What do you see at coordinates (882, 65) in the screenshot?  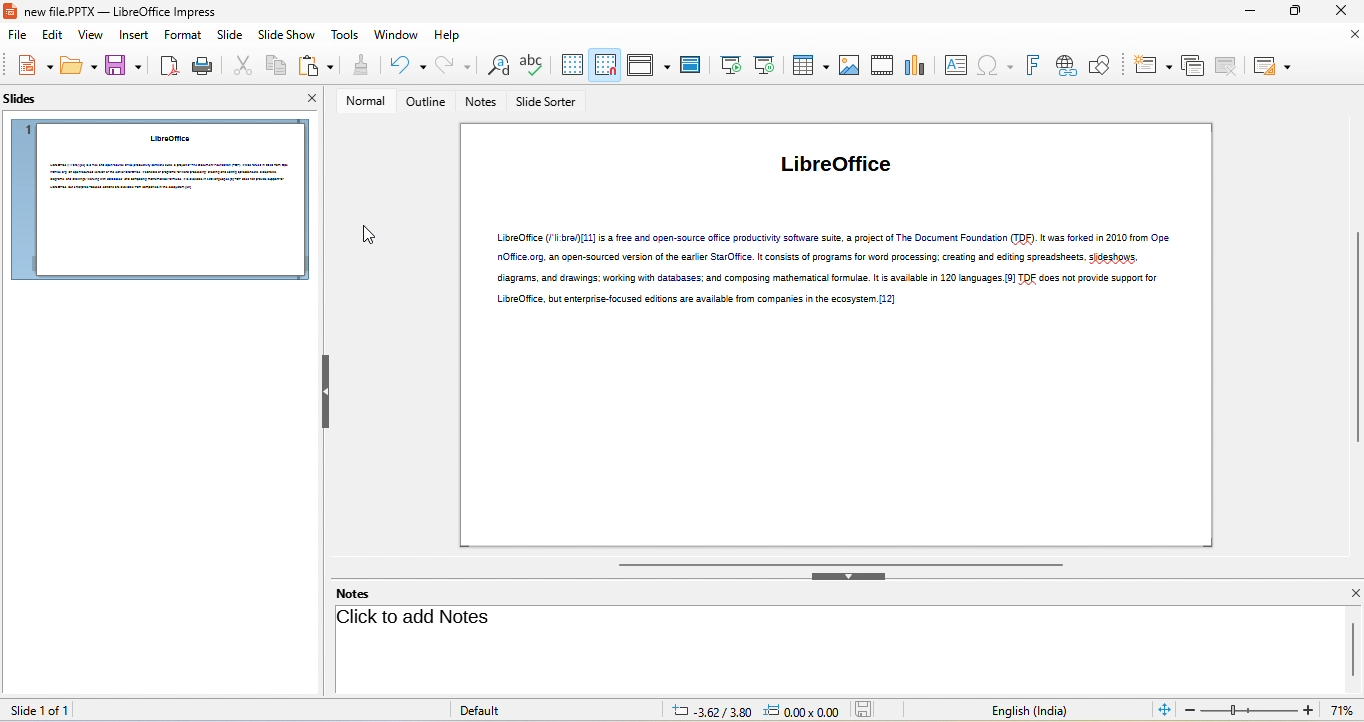 I see `audio/video` at bounding box center [882, 65].